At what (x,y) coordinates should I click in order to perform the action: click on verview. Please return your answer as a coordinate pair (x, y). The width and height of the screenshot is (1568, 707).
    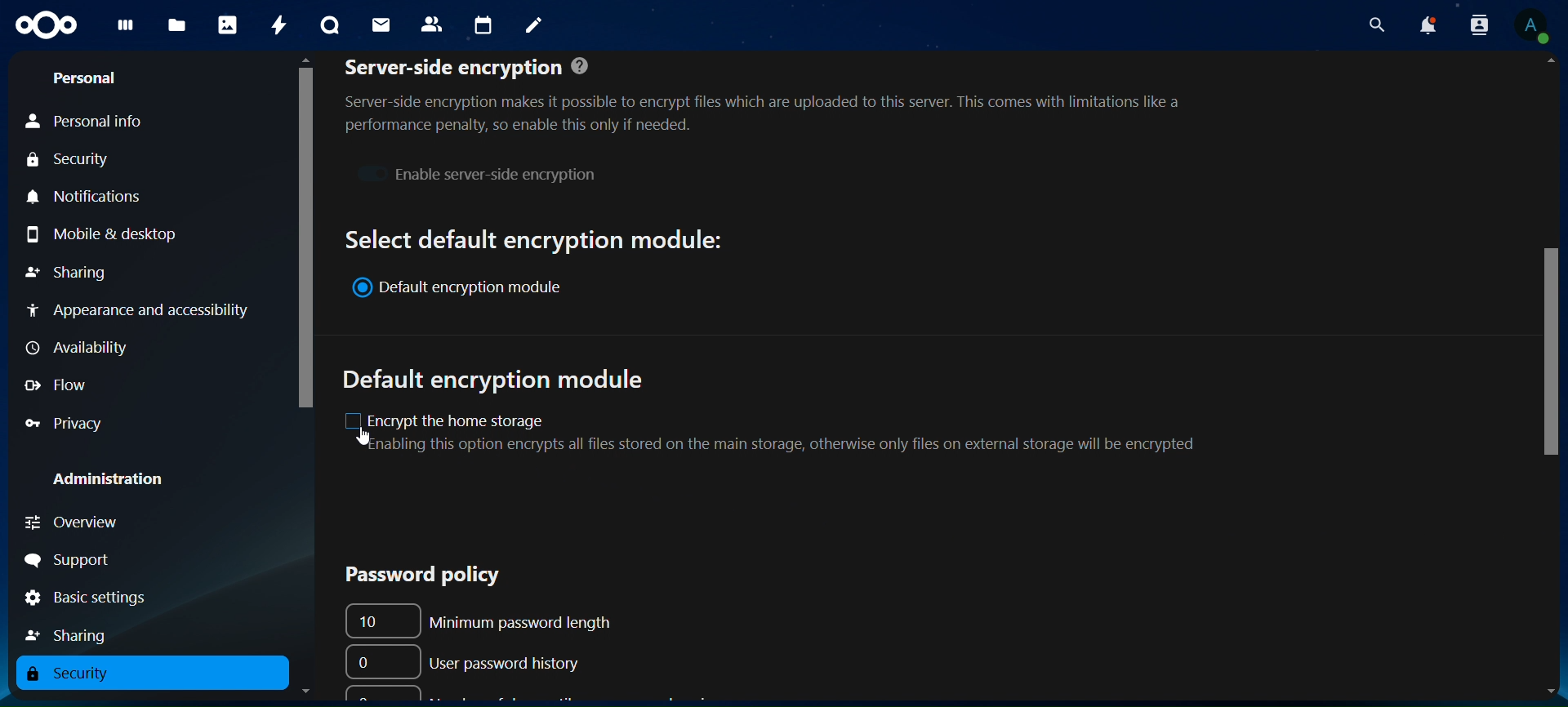
    Looking at the image, I should click on (79, 522).